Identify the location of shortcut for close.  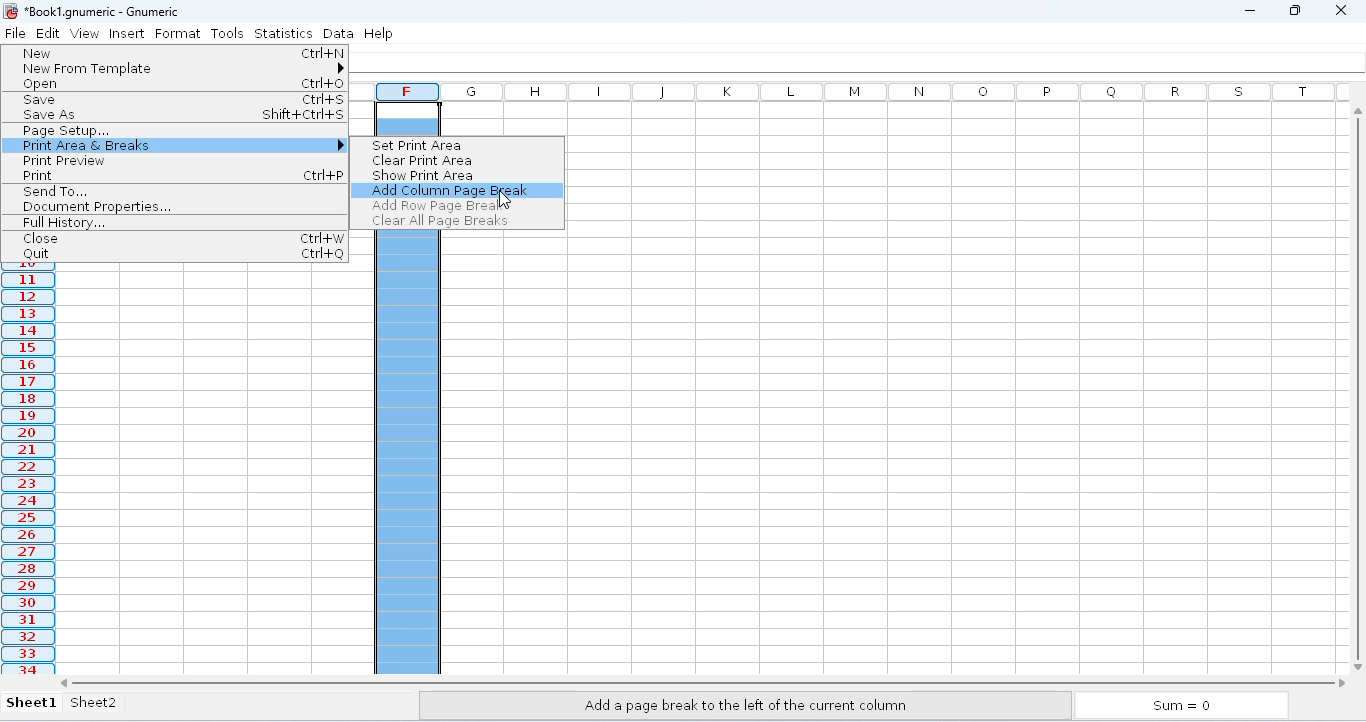
(321, 238).